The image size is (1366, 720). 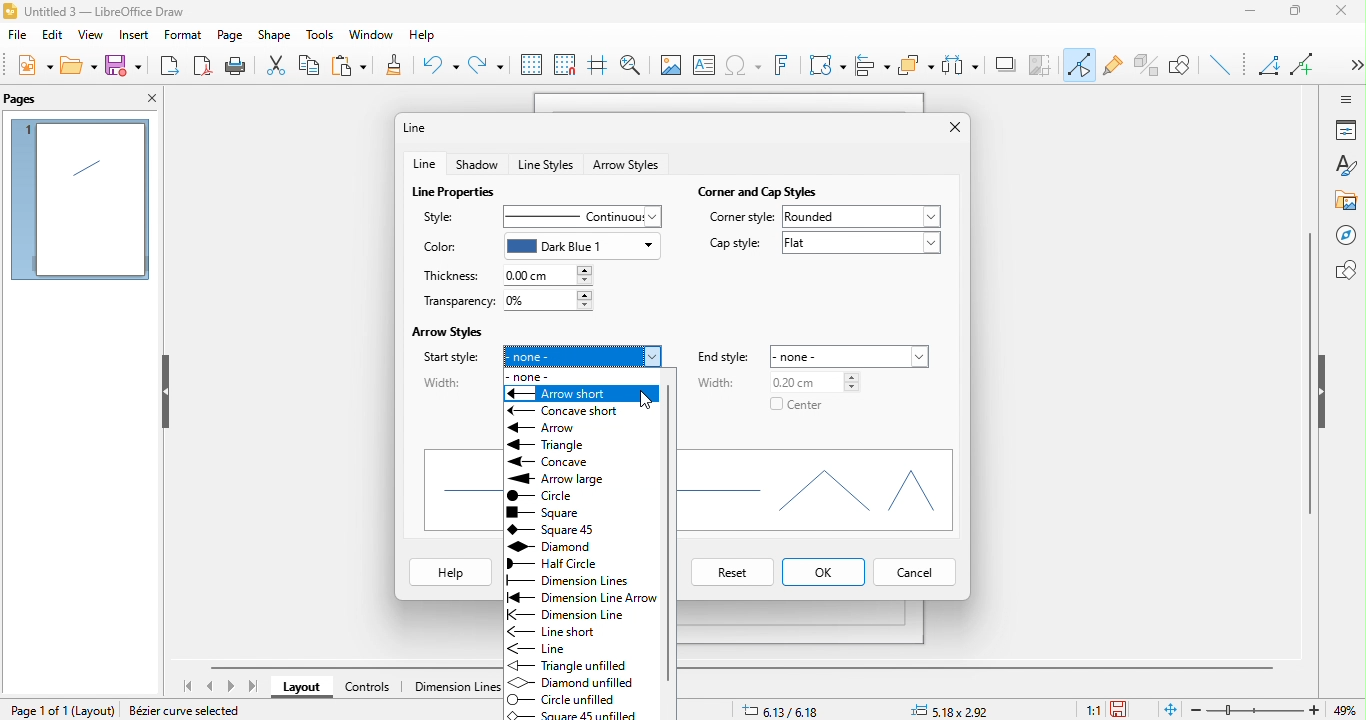 I want to click on display to grid, so click(x=530, y=65).